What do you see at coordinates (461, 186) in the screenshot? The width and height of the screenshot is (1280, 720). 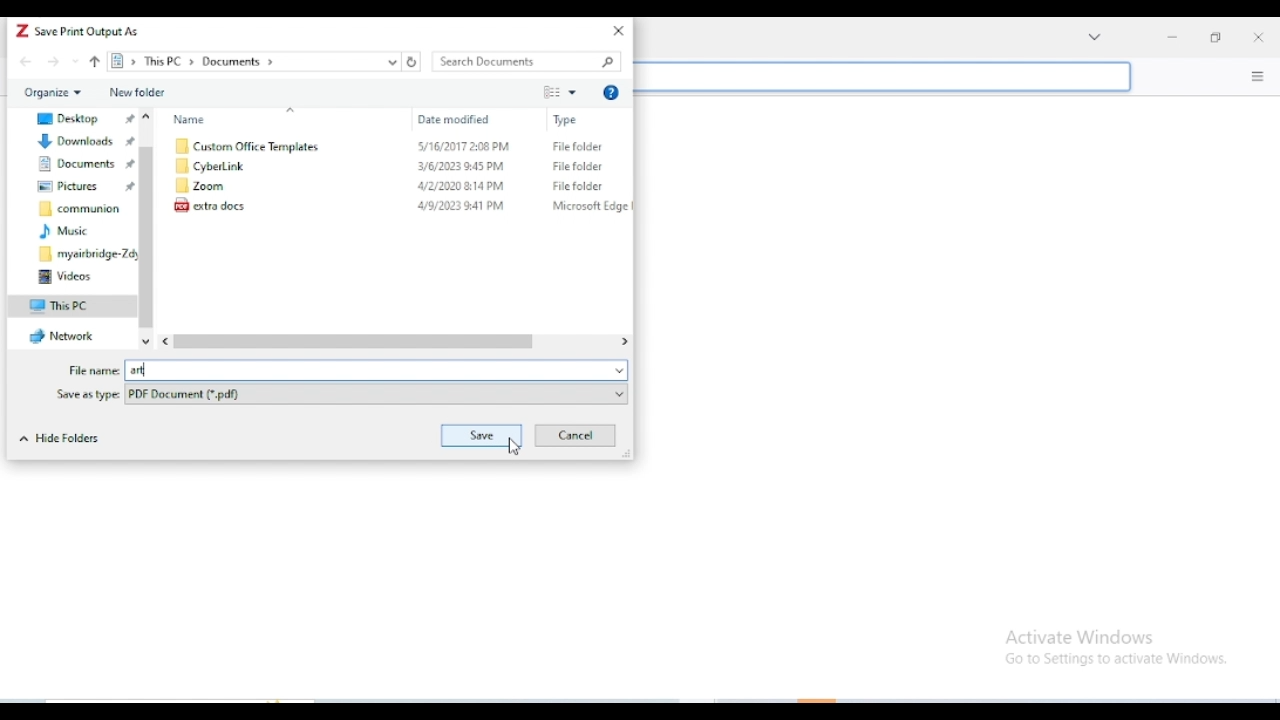 I see `L2/2020214PM` at bounding box center [461, 186].